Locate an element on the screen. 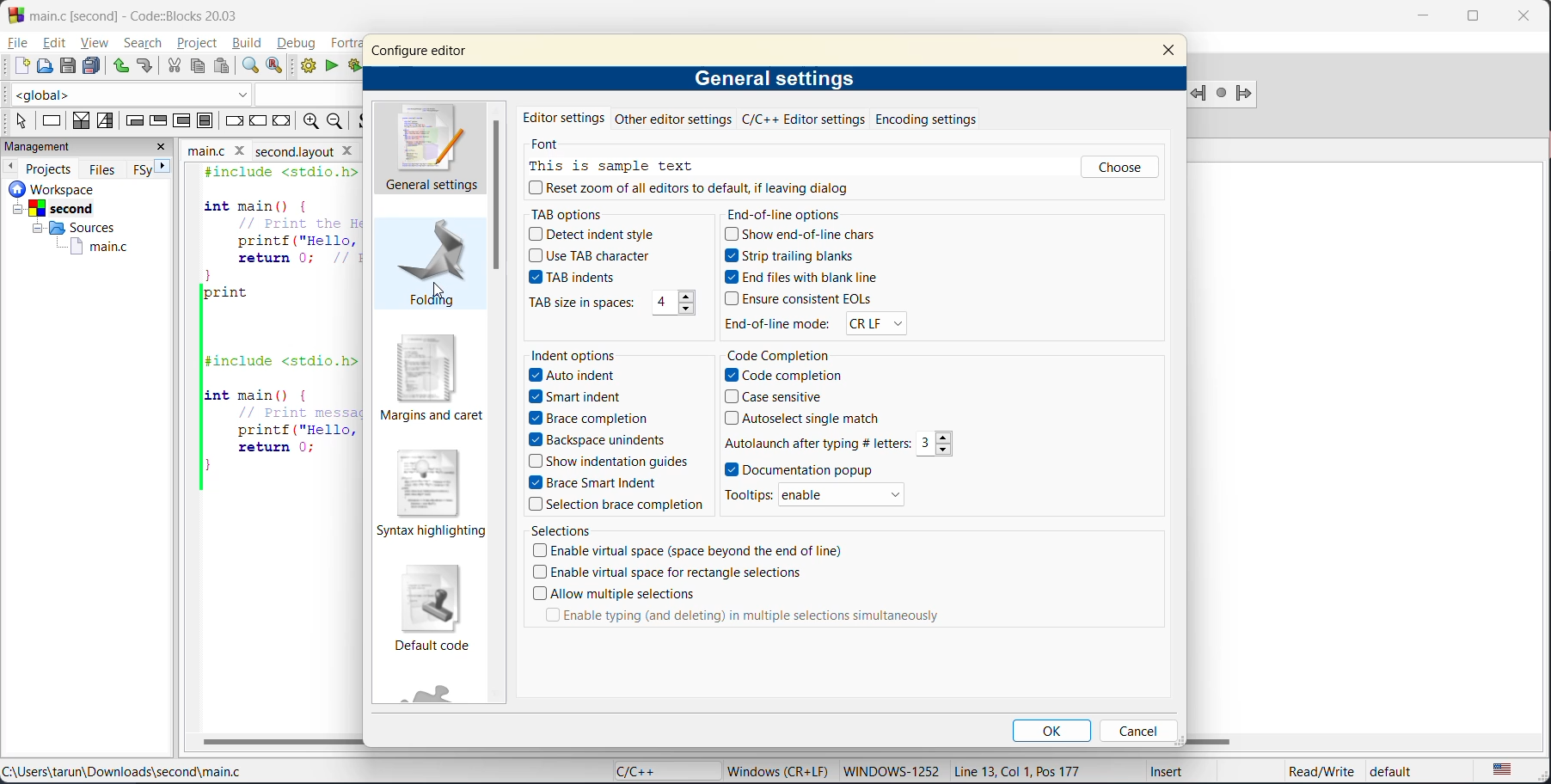 This screenshot has height=784, width=1551. debug is located at coordinates (297, 44).